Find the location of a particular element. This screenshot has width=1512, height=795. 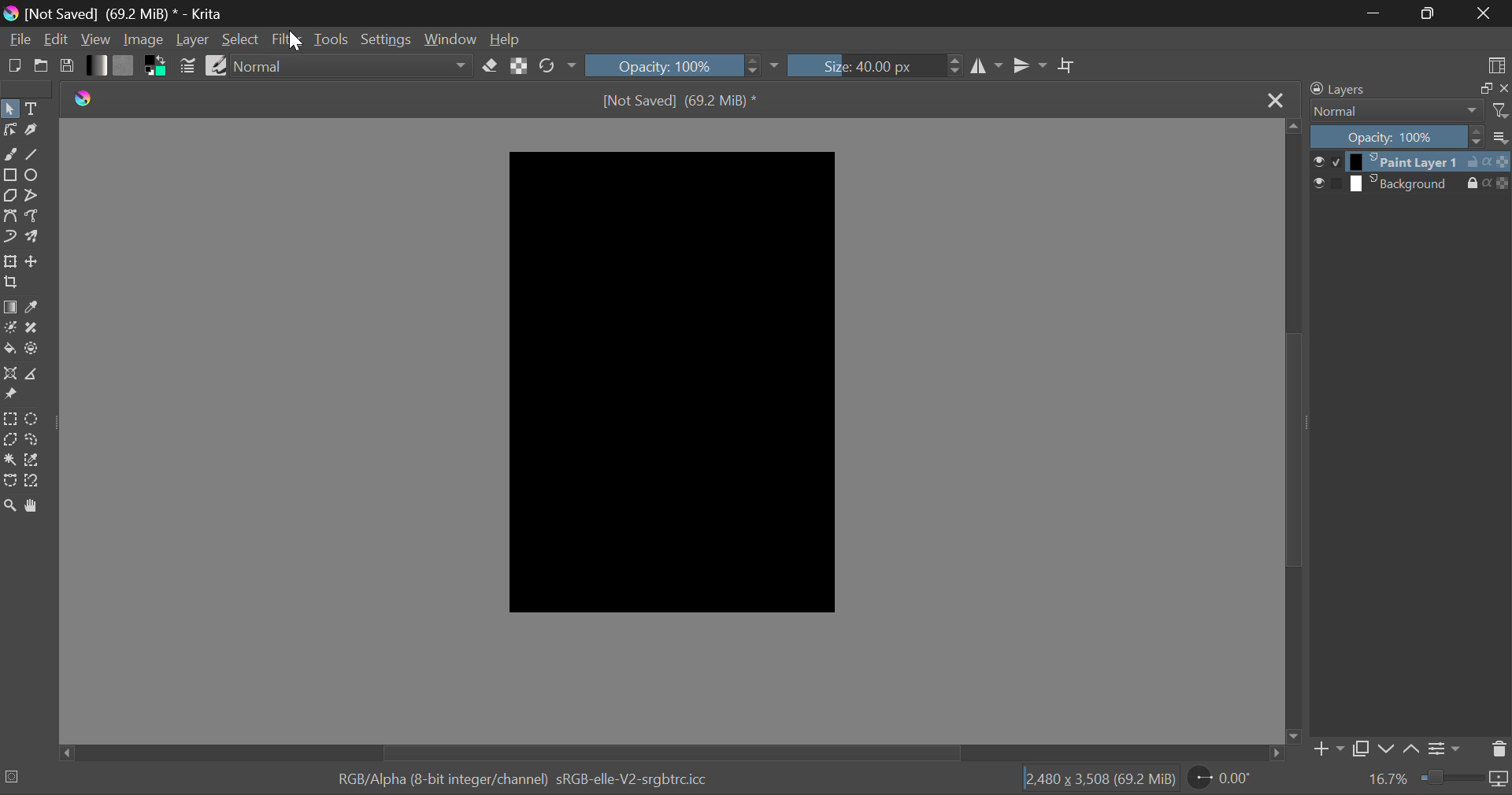

lock is located at coordinates (1469, 161).